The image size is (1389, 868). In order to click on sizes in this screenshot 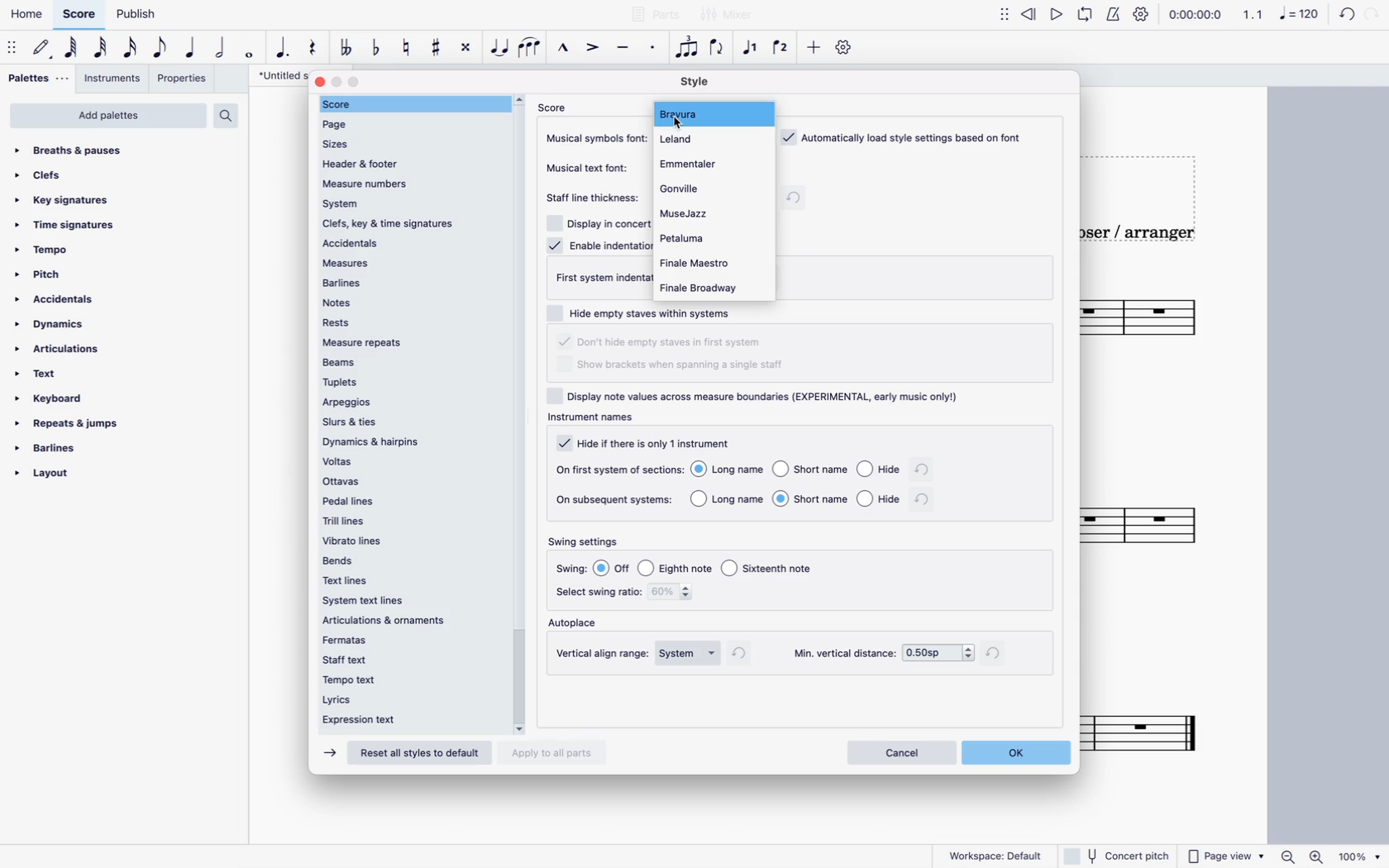, I will do `click(406, 141)`.